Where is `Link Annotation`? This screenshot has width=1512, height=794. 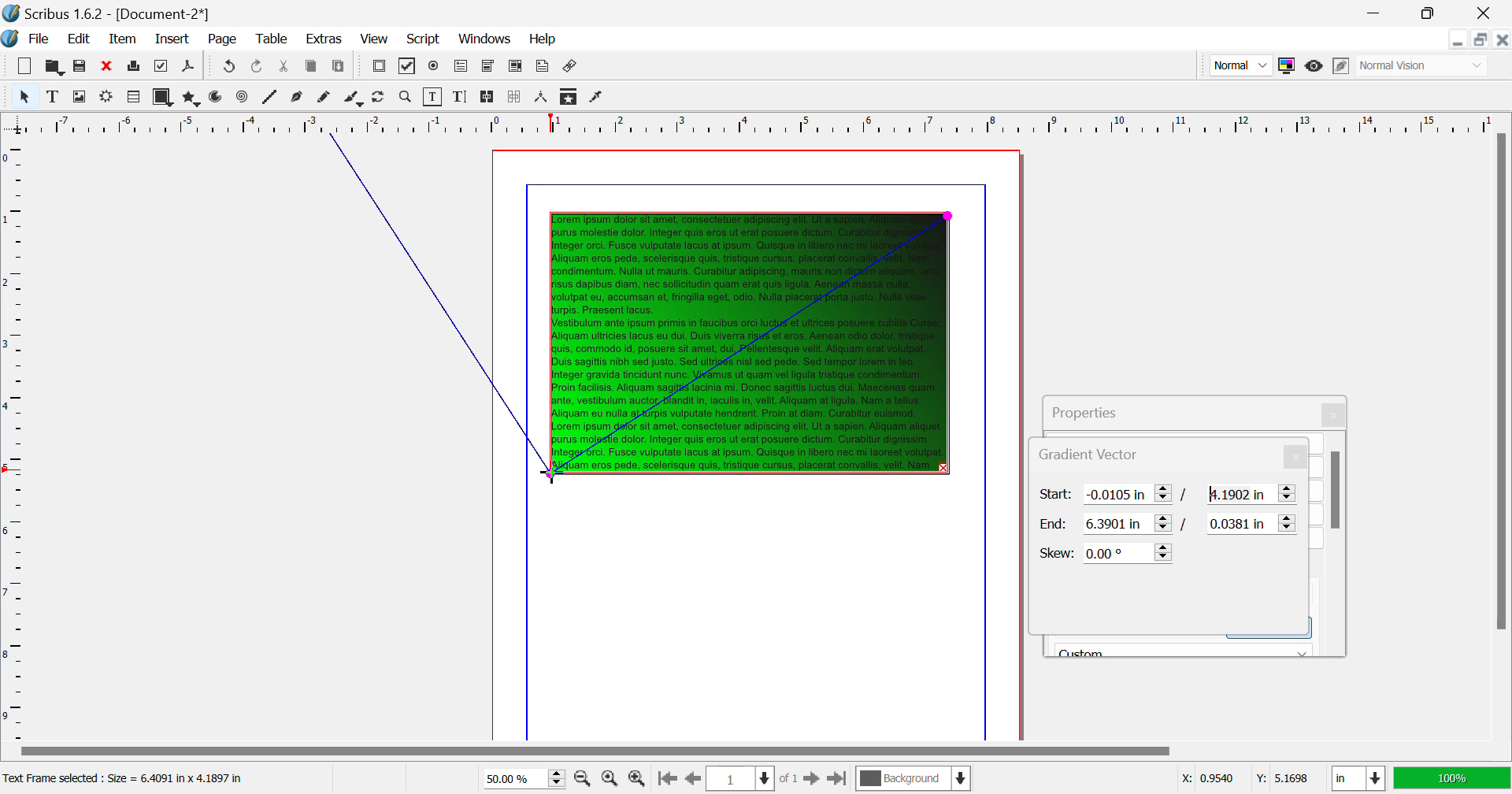 Link Annotation is located at coordinates (572, 68).